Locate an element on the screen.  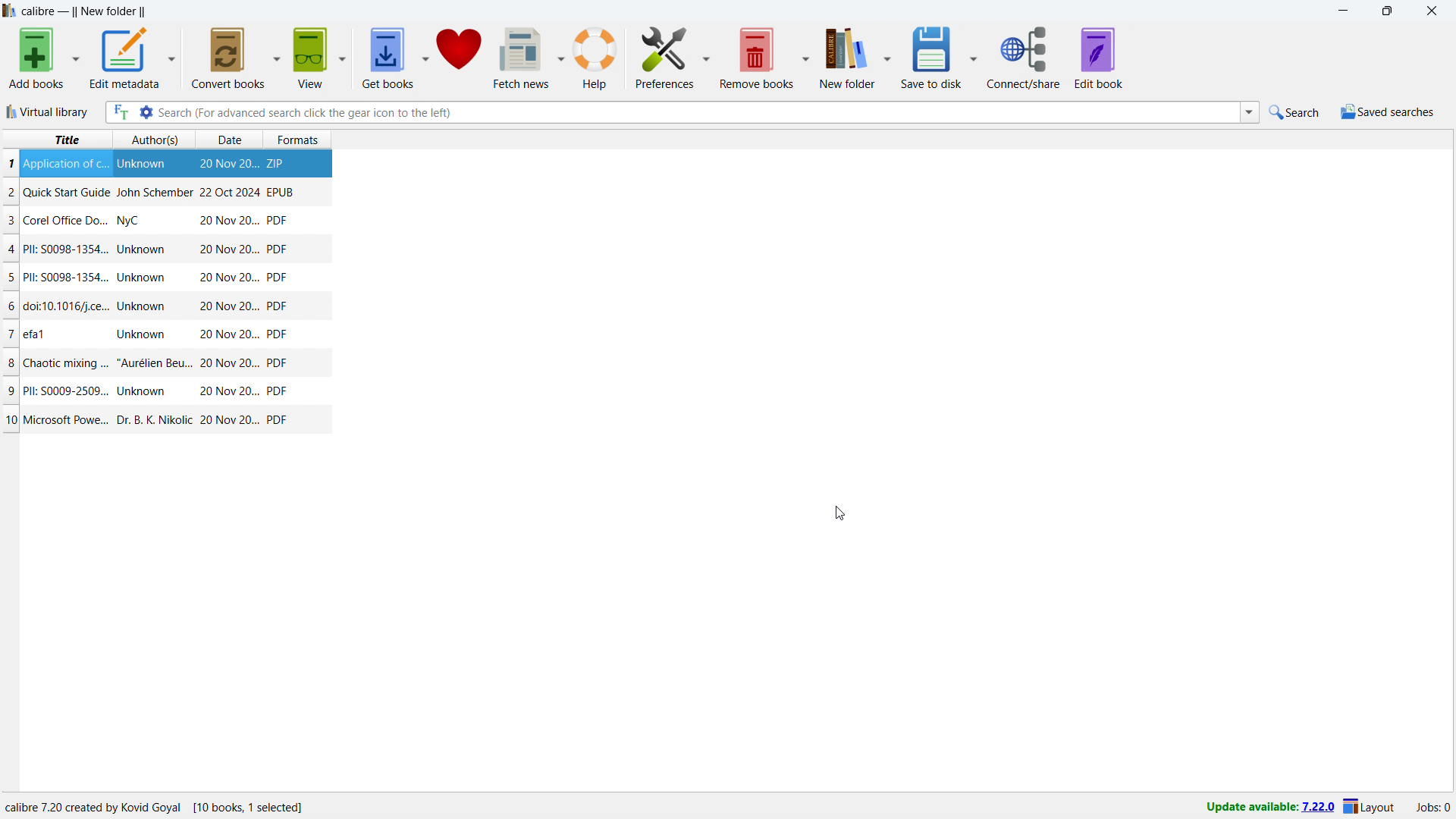
calibre library options is located at coordinates (904, 59).